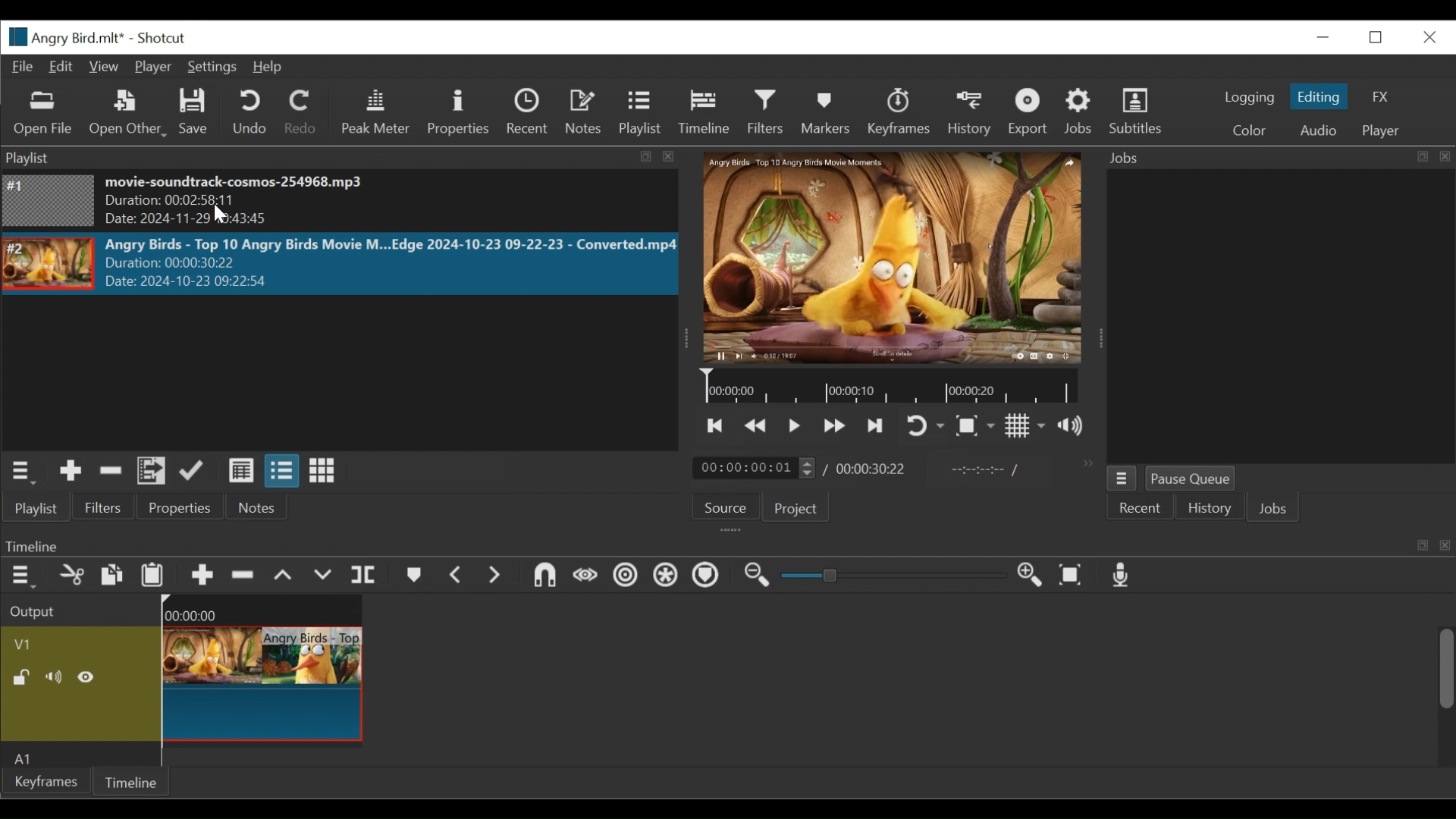 This screenshot has width=1456, height=819. I want to click on Media Viewer, so click(875, 256).